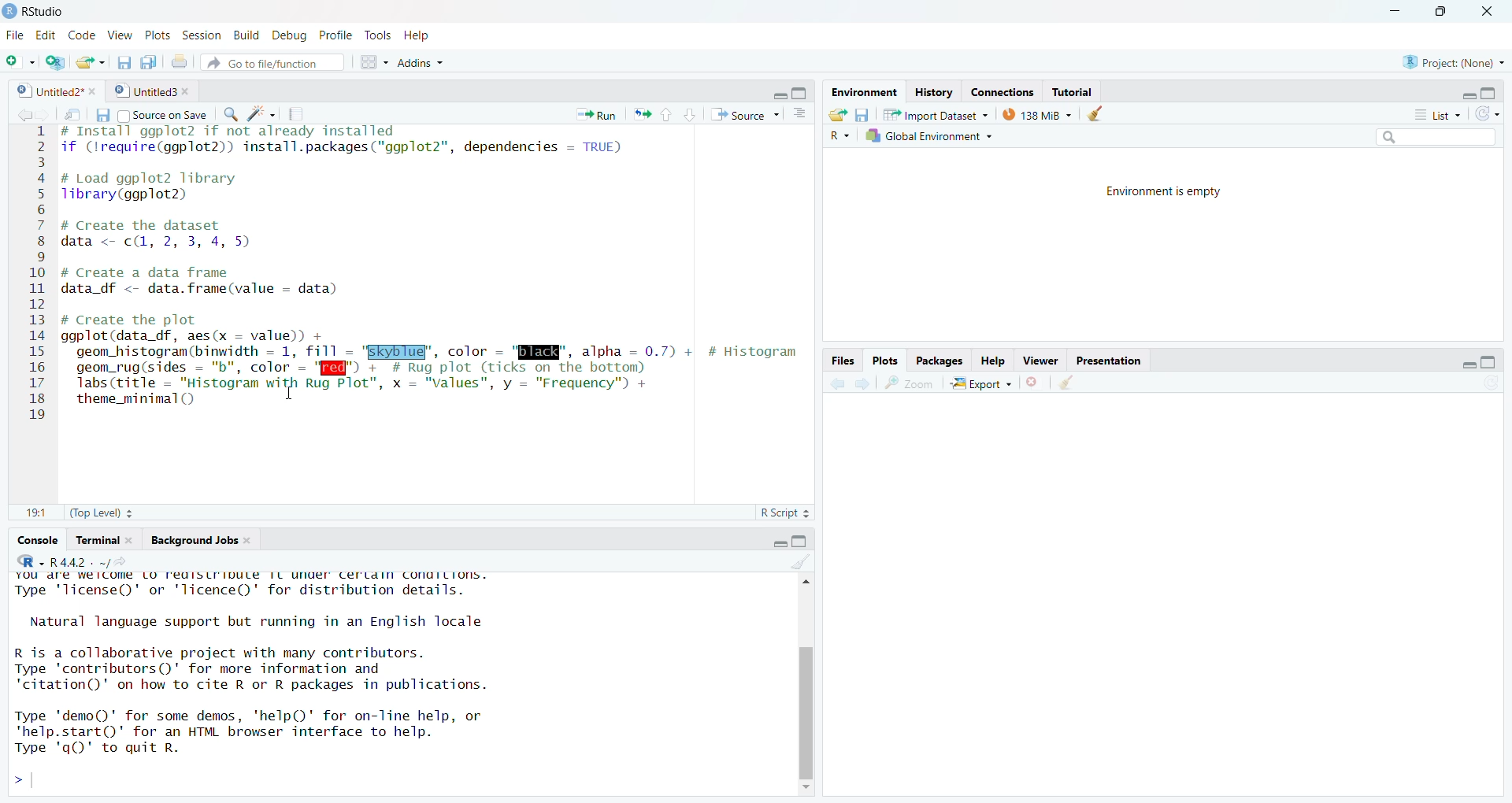  Describe the element at coordinates (836, 114) in the screenshot. I see `Open` at that location.